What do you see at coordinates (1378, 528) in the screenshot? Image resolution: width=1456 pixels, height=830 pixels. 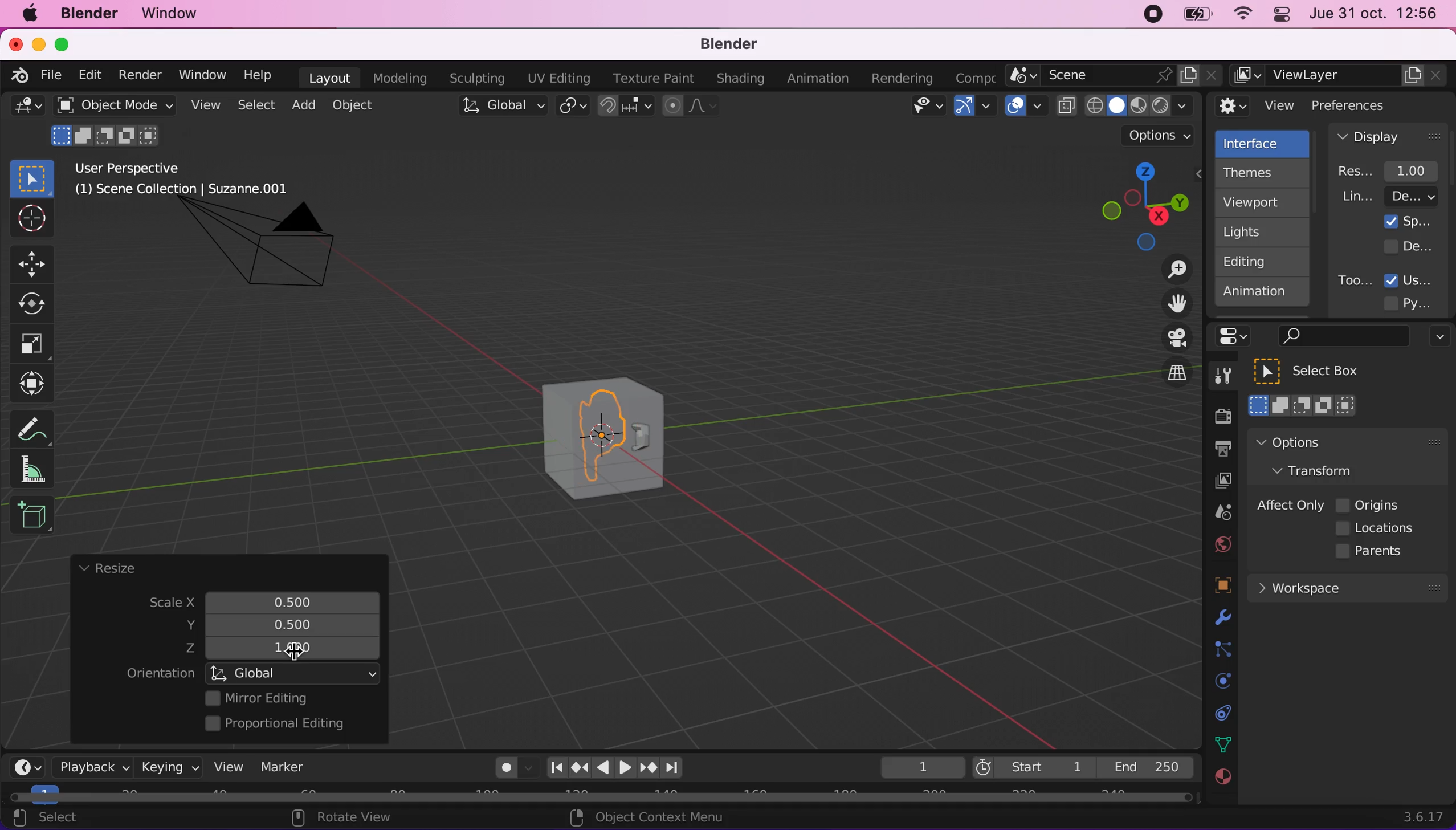 I see `locations` at bounding box center [1378, 528].